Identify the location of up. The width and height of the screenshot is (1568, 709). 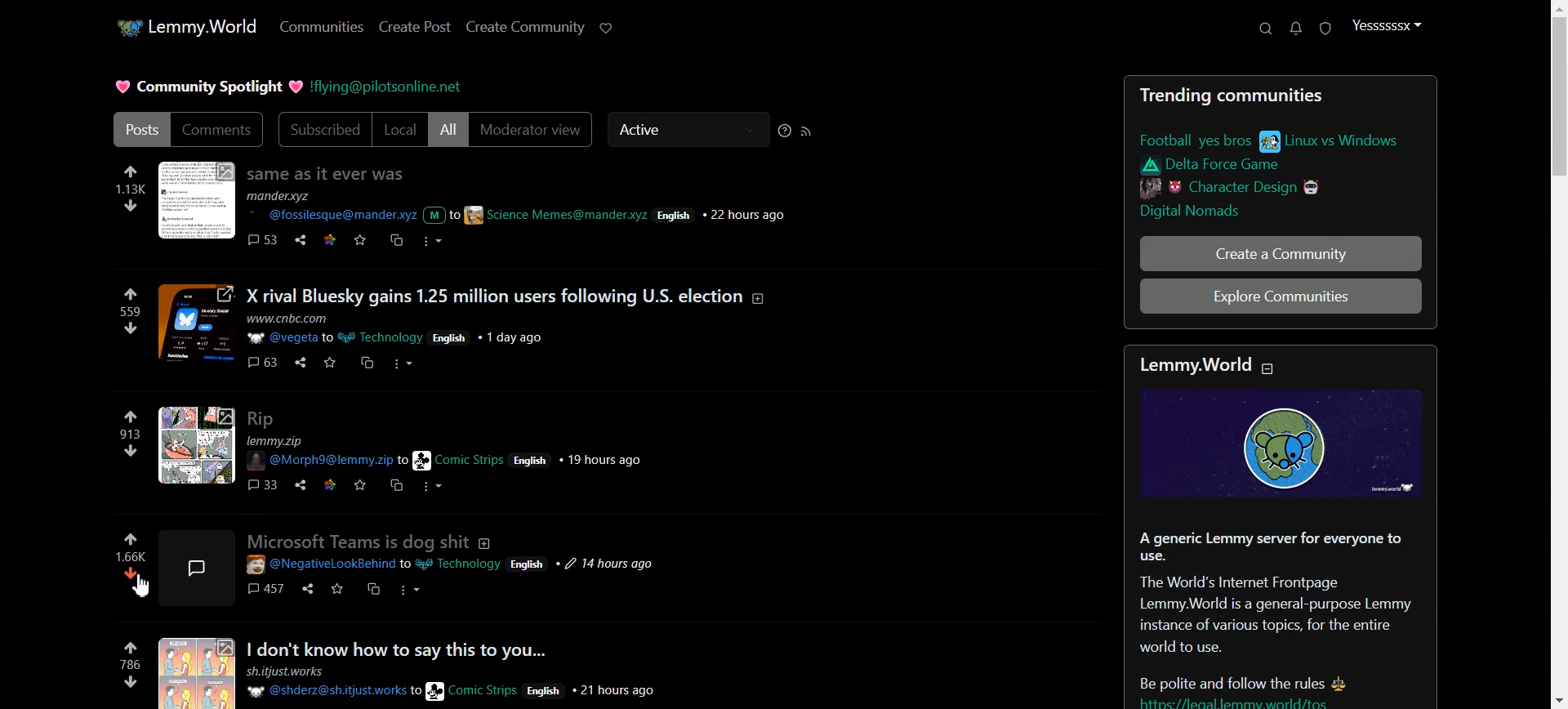
(131, 295).